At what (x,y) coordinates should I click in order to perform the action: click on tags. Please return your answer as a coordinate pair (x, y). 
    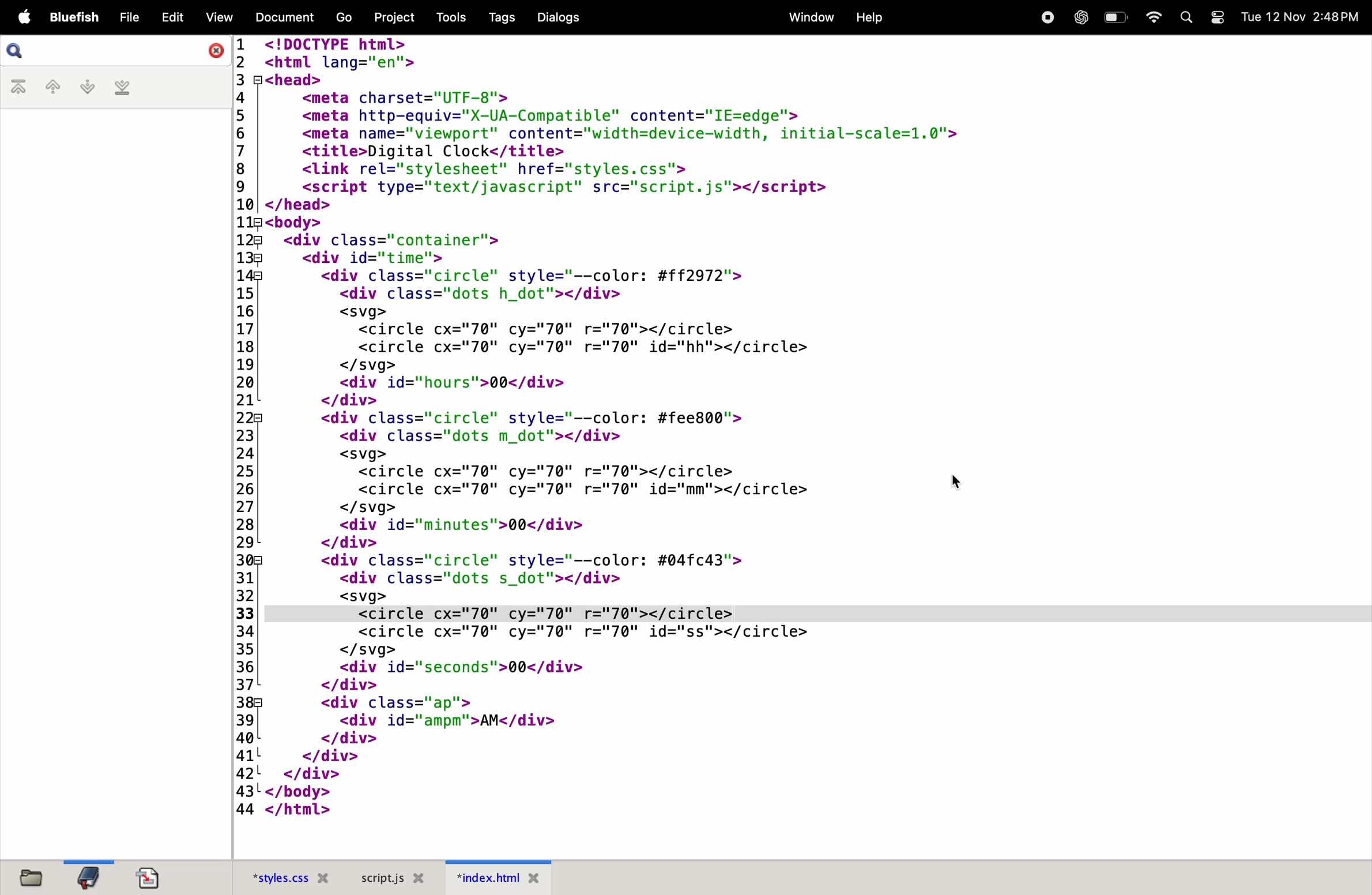
    Looking at the image, I should click on (497, 17).